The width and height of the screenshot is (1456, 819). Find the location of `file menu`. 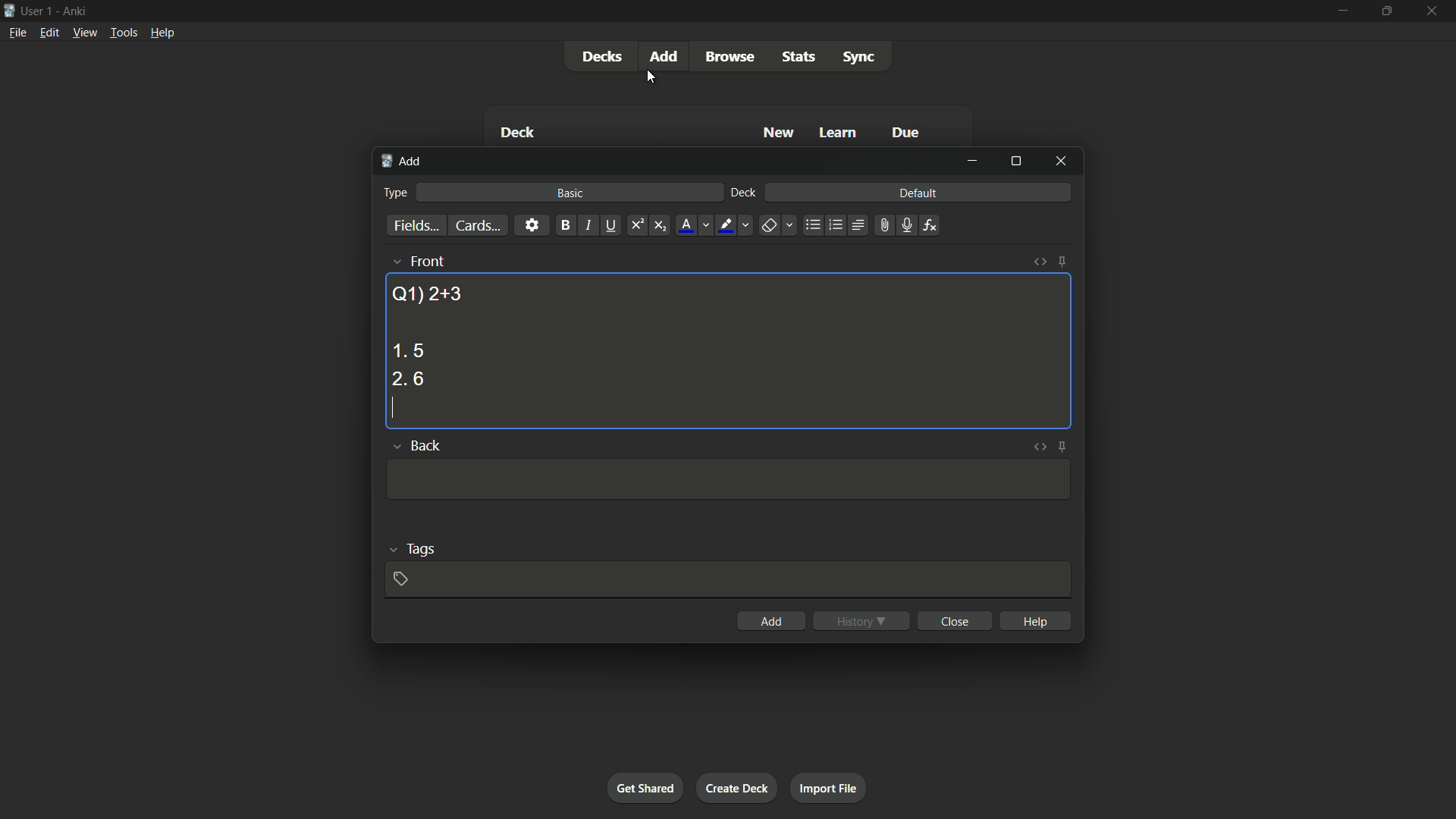

file menu is located at coordinates (19, 32).